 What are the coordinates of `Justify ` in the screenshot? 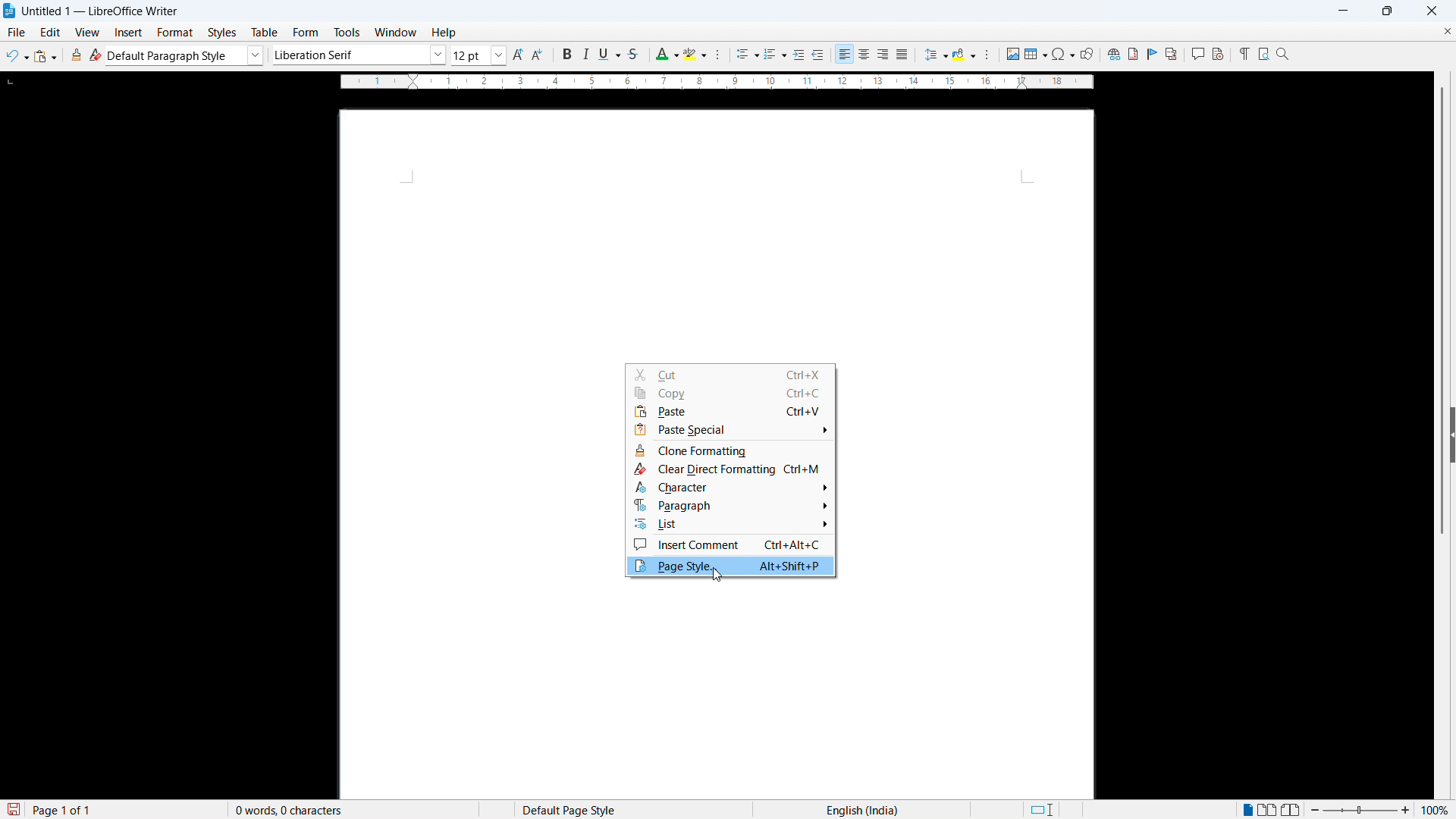 It's located at (902, 54).